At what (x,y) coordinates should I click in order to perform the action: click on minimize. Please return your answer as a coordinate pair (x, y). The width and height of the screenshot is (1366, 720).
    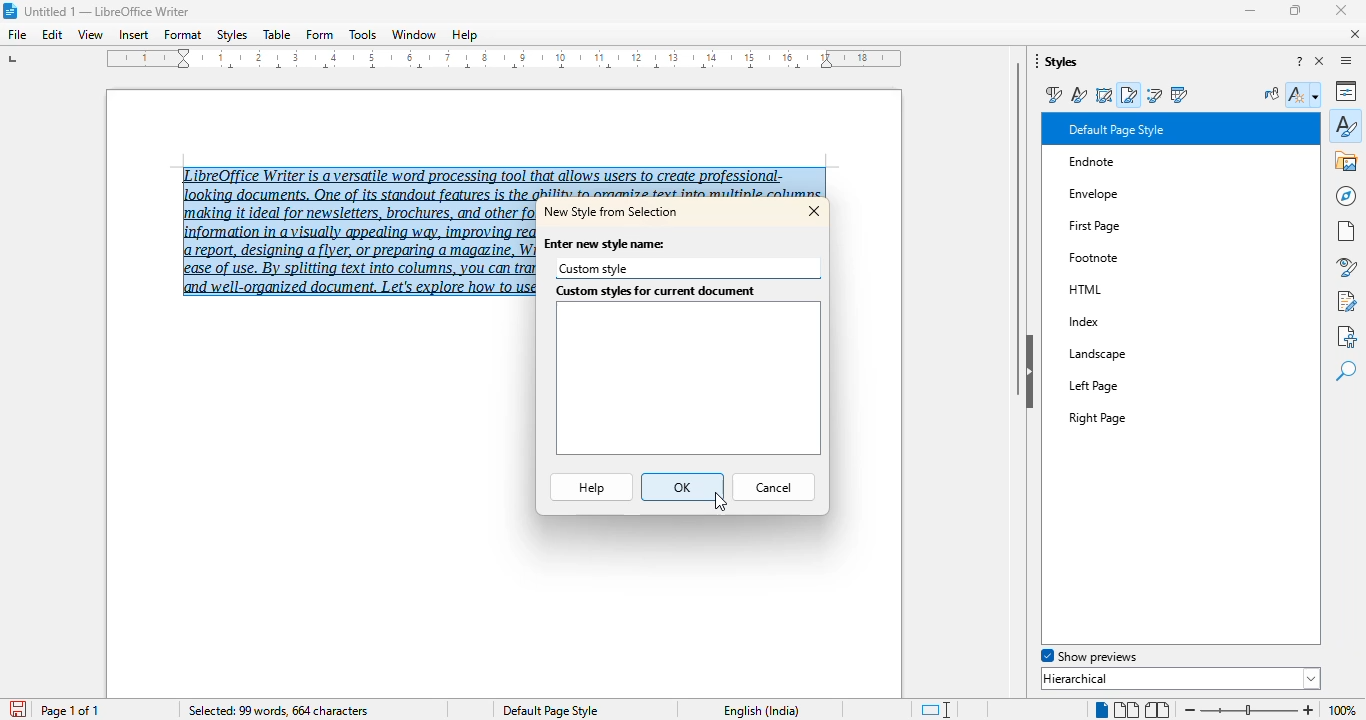
    Looking at the image, I should click on (1251, 10).